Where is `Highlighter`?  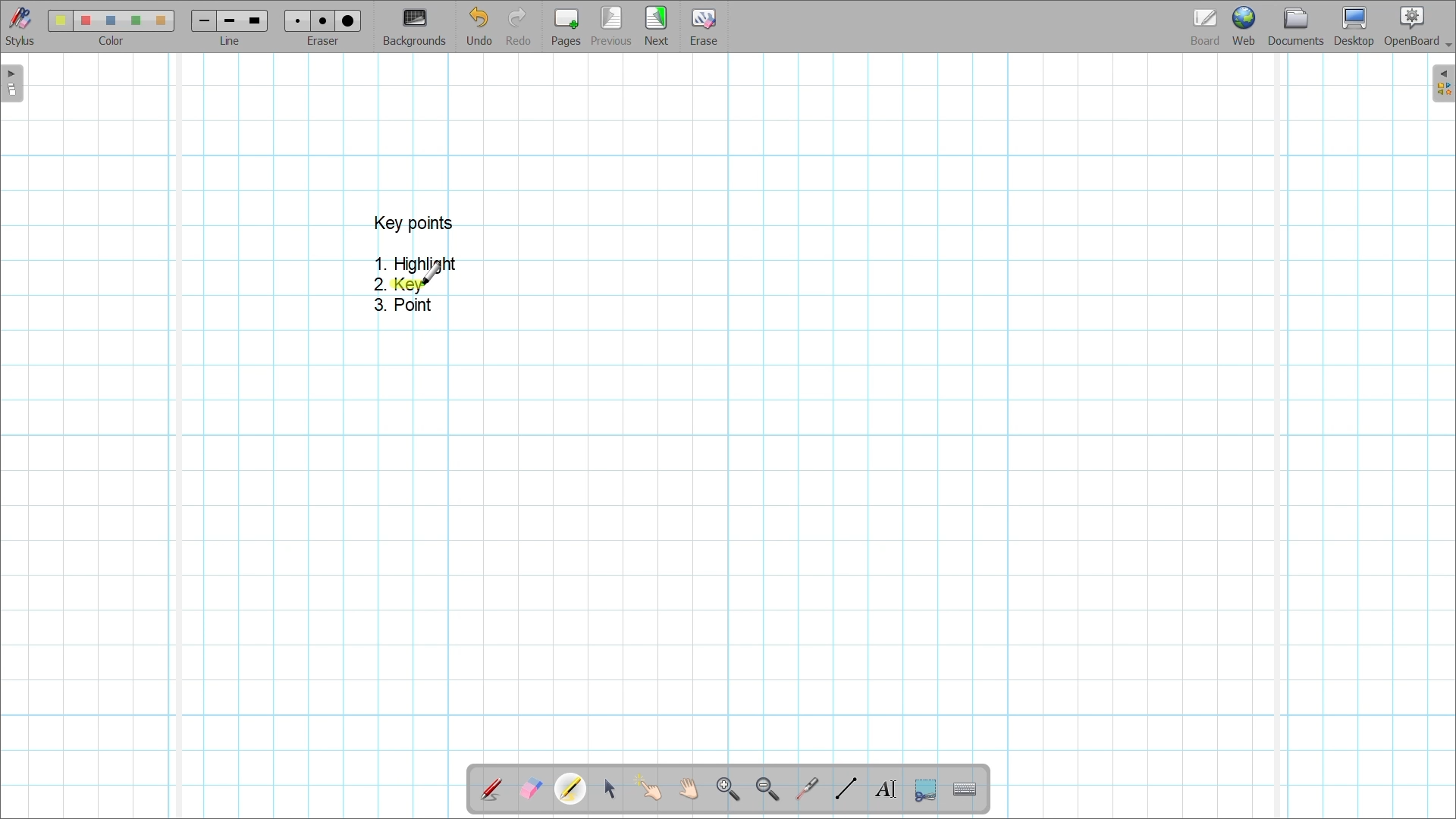
Highlighter is located at coordinates (570, 789).